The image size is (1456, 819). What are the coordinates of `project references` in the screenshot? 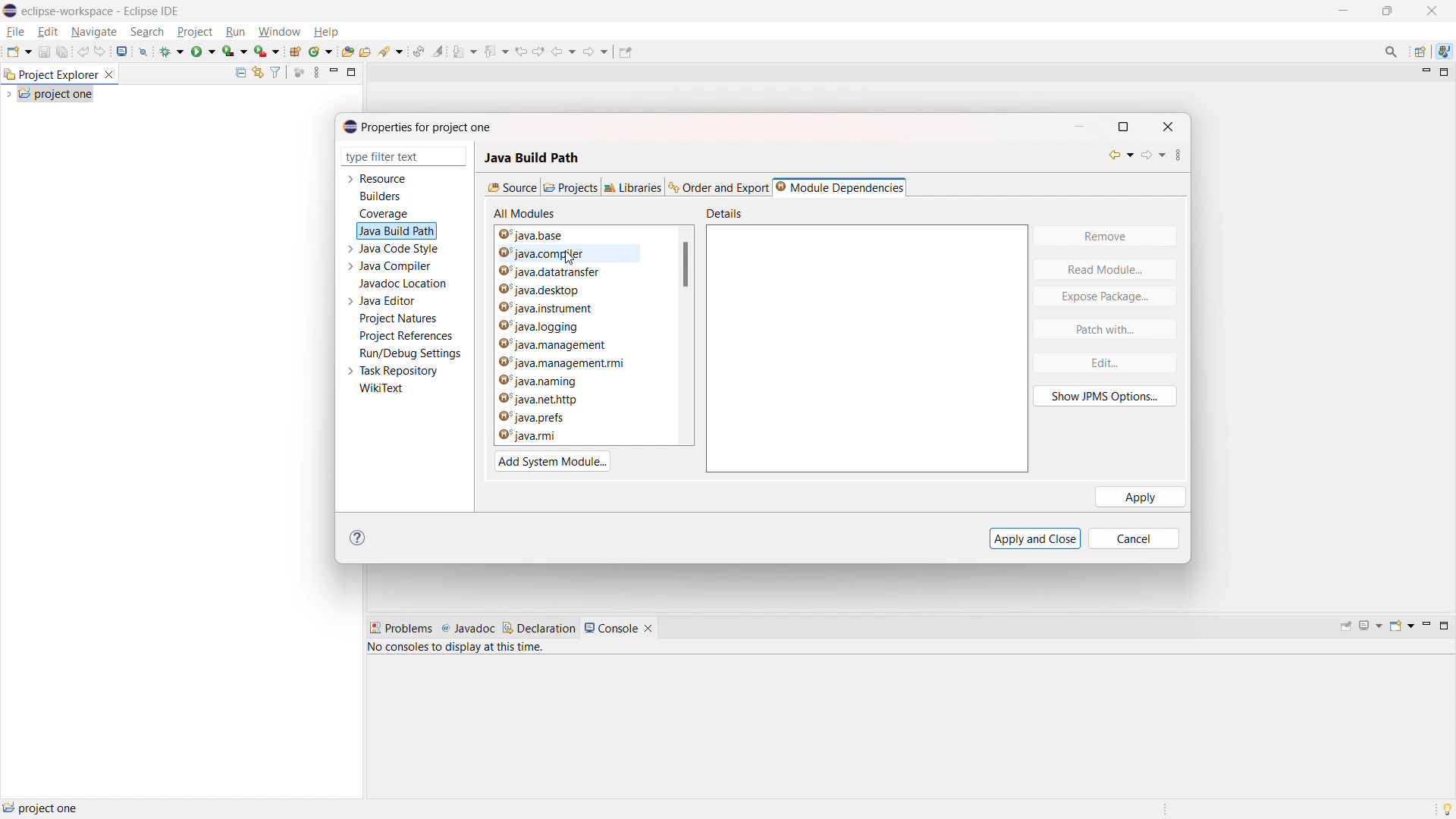 It's located at (406, 335).